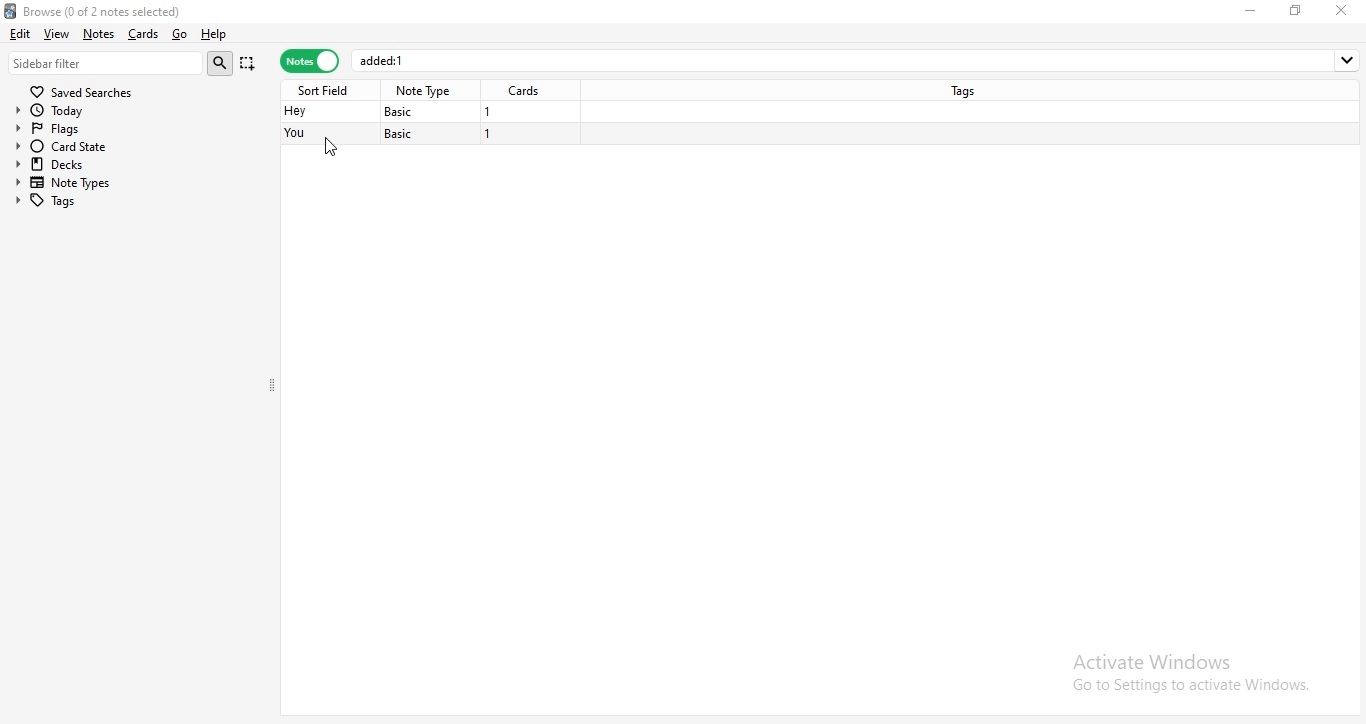 The width and height of the screenshot is (1366, 724). What do you see at coordinates (131, 9) in the screenshot?
I see `browse` at bounding box center [131, 9].